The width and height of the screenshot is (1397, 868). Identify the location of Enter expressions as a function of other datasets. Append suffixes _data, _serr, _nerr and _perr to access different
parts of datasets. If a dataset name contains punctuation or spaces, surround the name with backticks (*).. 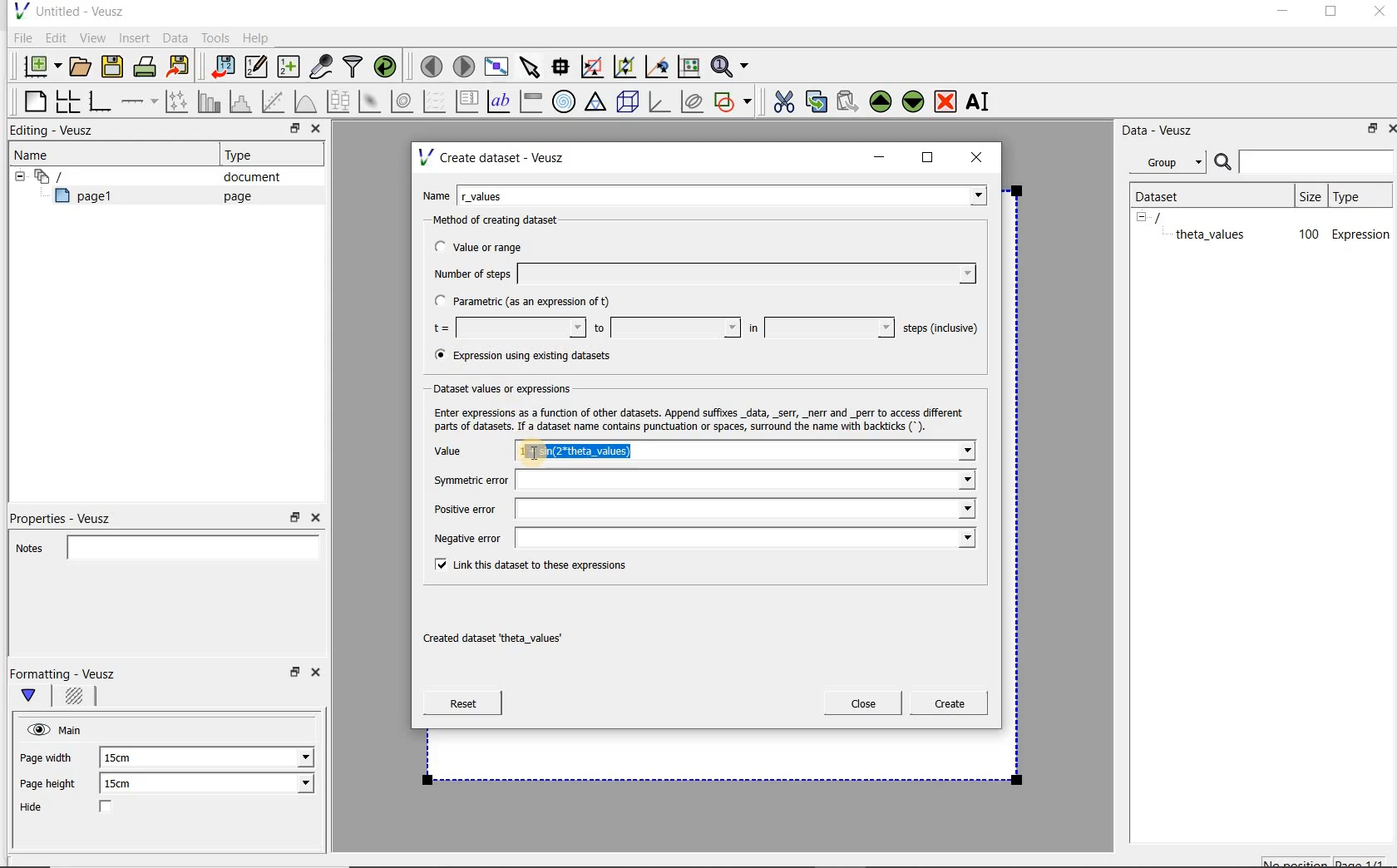
(695, 417).